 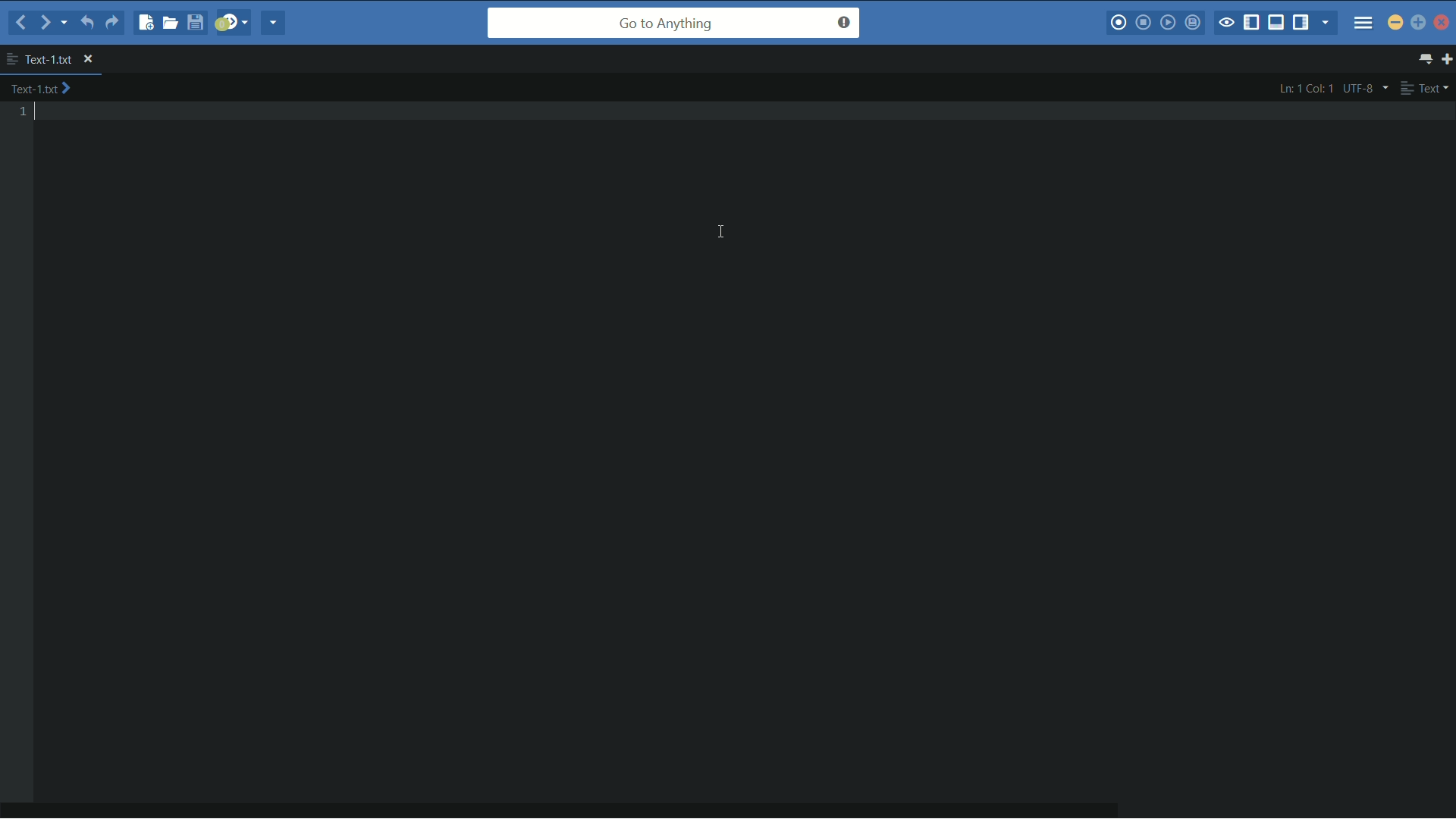 What do you see at coordinates (233, 23) in the screenshot?
I see `jump to next syntax correcting result` at bounding box center [233, 23].